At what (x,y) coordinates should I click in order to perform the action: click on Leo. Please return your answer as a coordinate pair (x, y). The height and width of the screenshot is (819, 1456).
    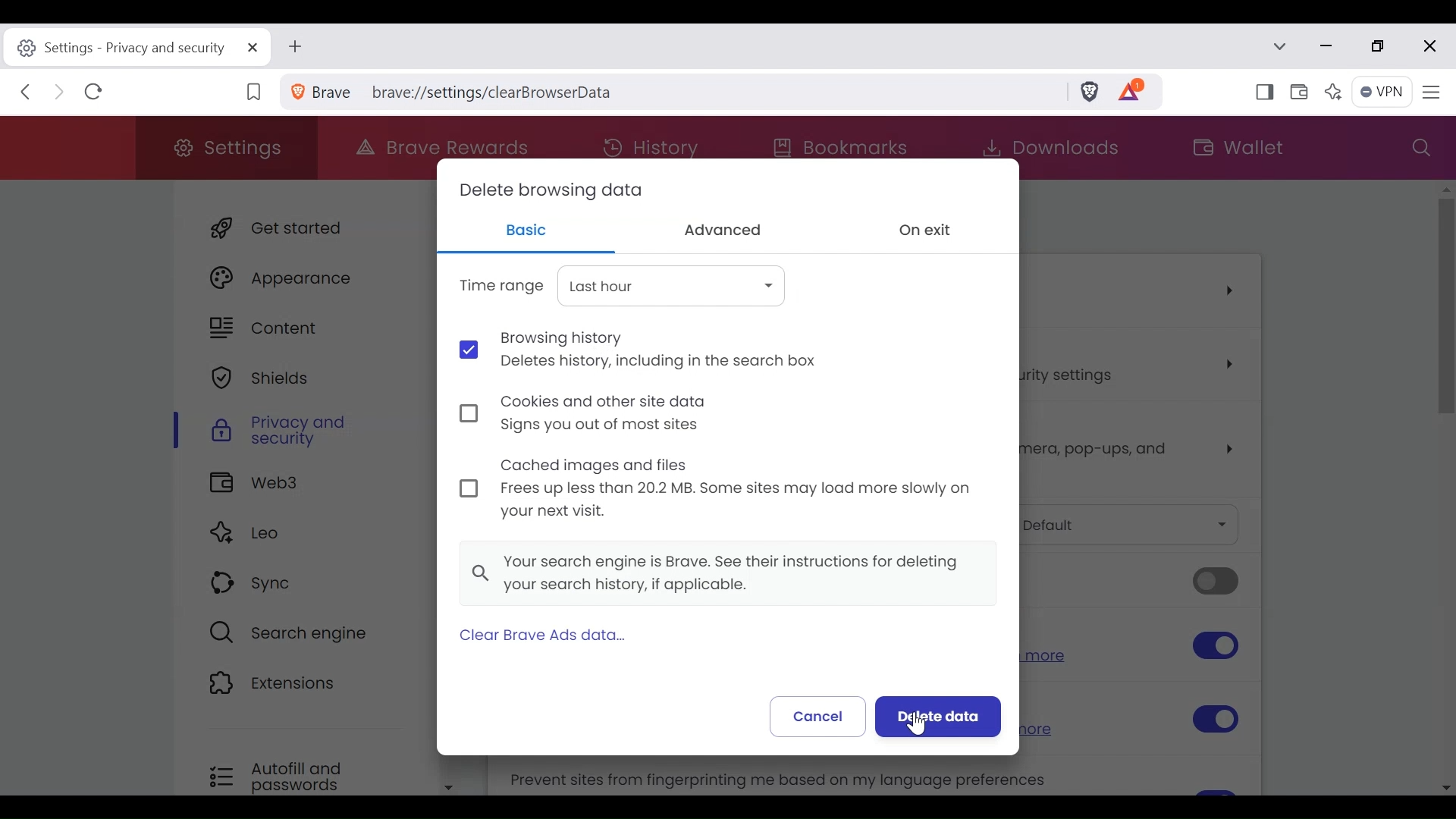
    Looking at the image, I should click on (301, 534).